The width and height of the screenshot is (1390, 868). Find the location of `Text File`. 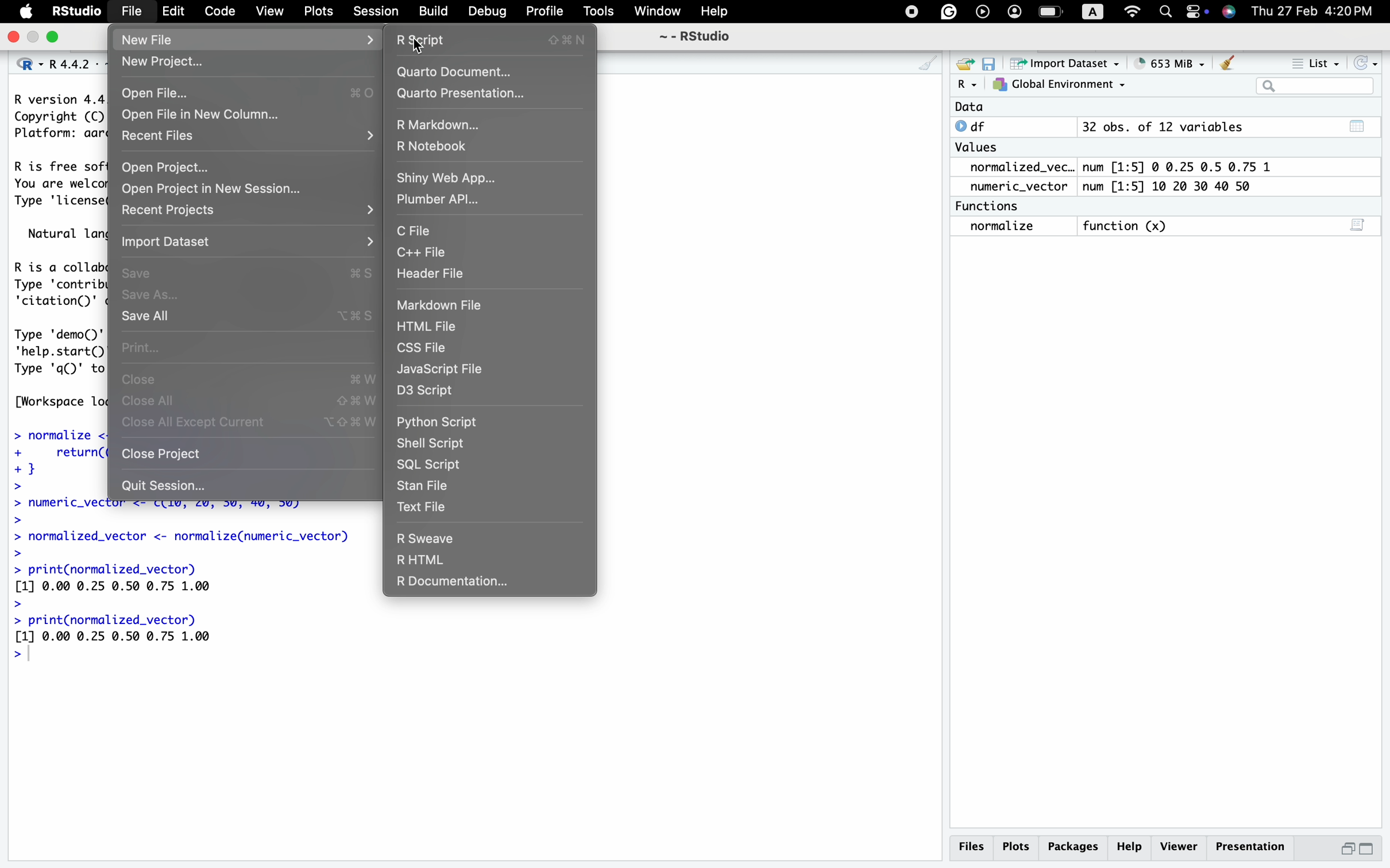

Text File is located at coordinates (424, 509).